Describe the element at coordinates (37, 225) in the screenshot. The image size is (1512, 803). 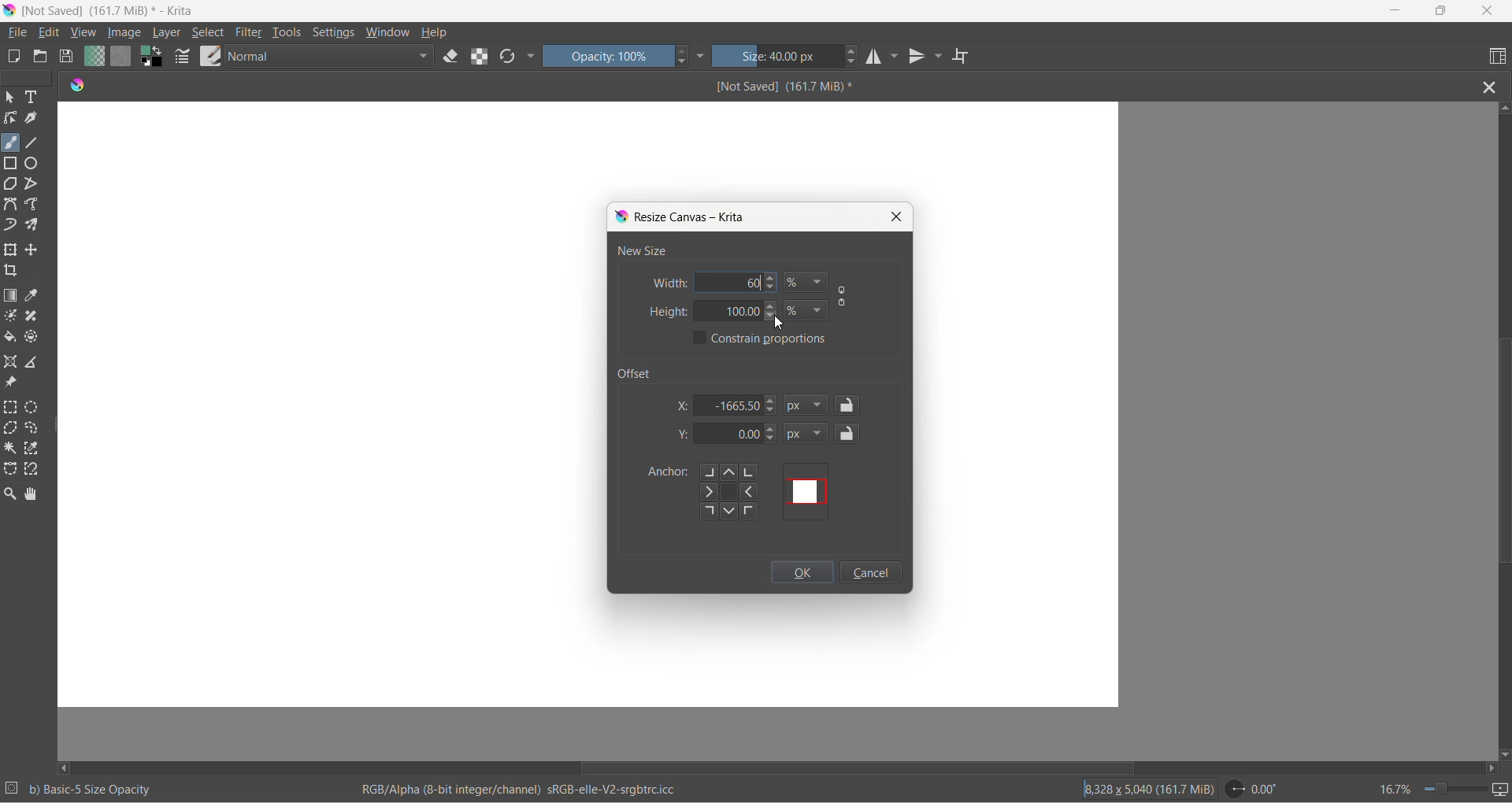
I see `multibrush tool` at that location.